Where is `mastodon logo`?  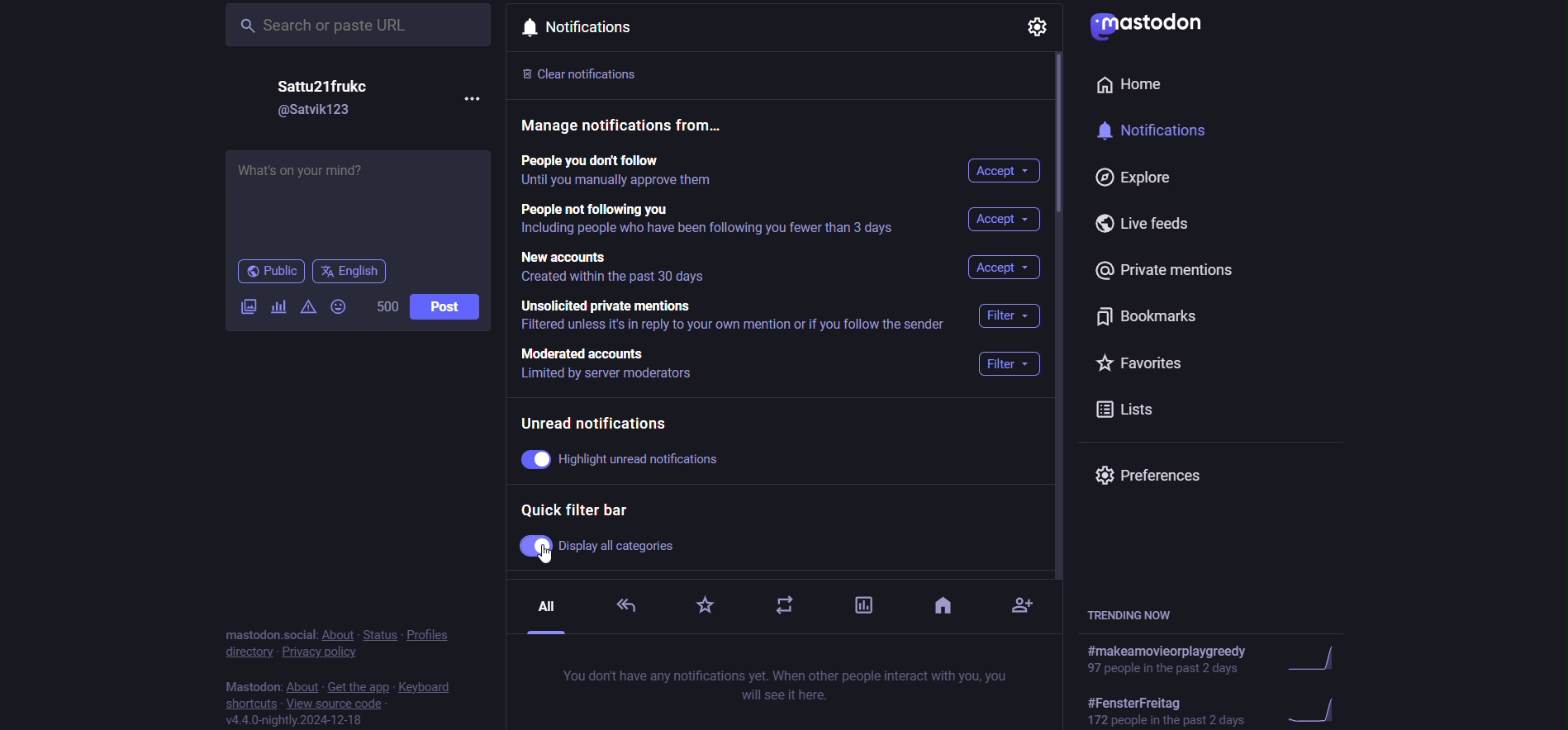
mastodon logo is located at coordinates (1152, 26).